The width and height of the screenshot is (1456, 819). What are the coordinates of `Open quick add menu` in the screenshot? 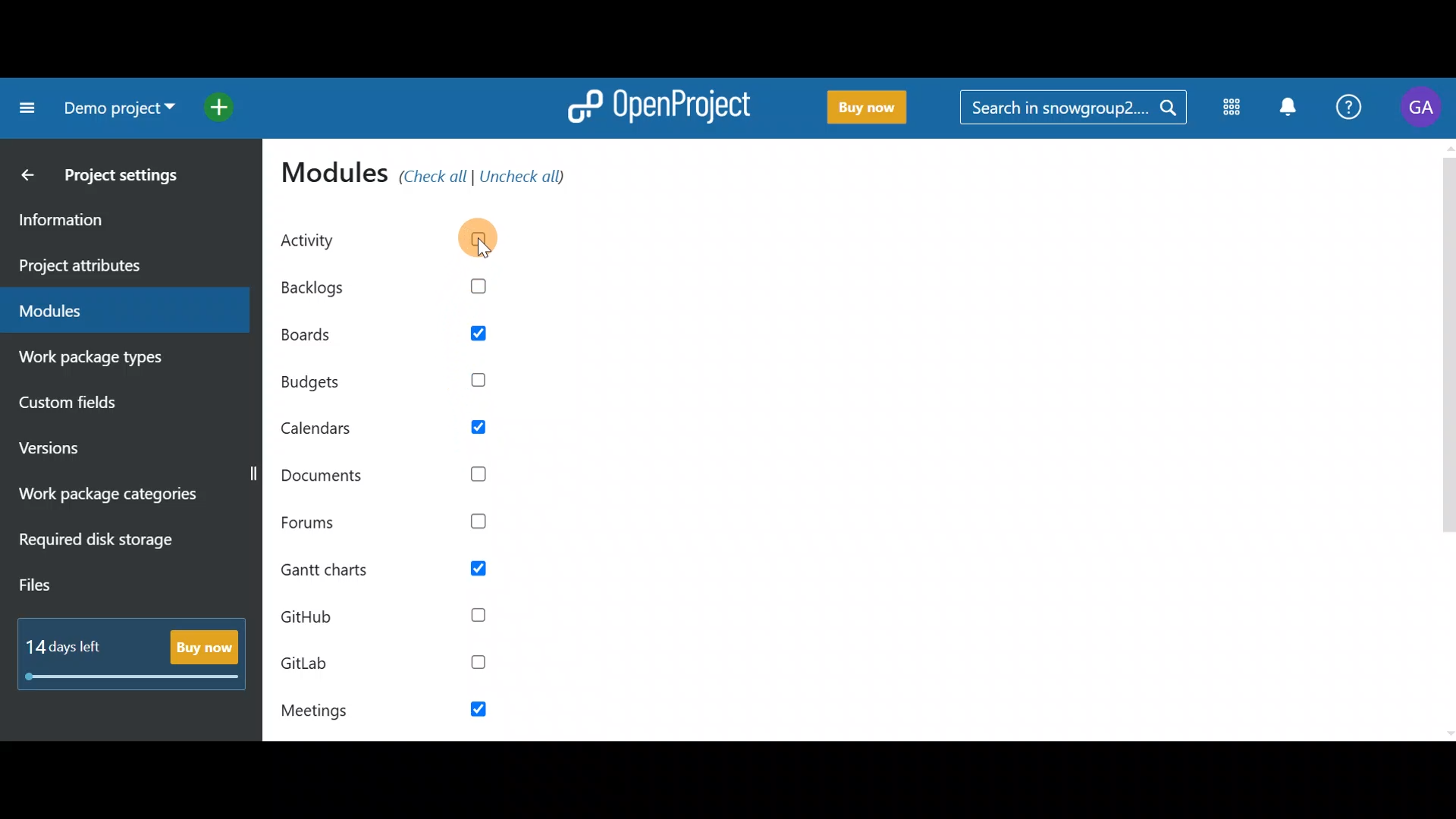 It's located at (223, 106).